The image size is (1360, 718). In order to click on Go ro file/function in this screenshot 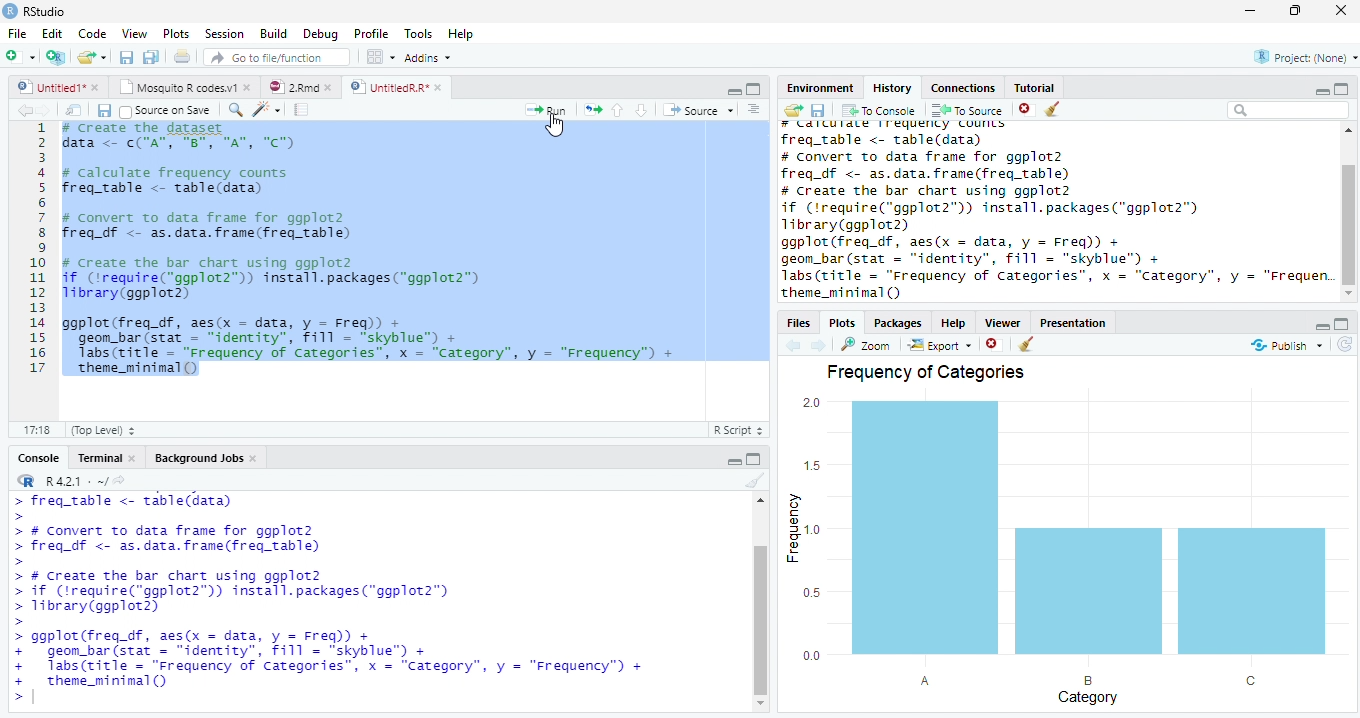, I will do `click(275, 58)`.